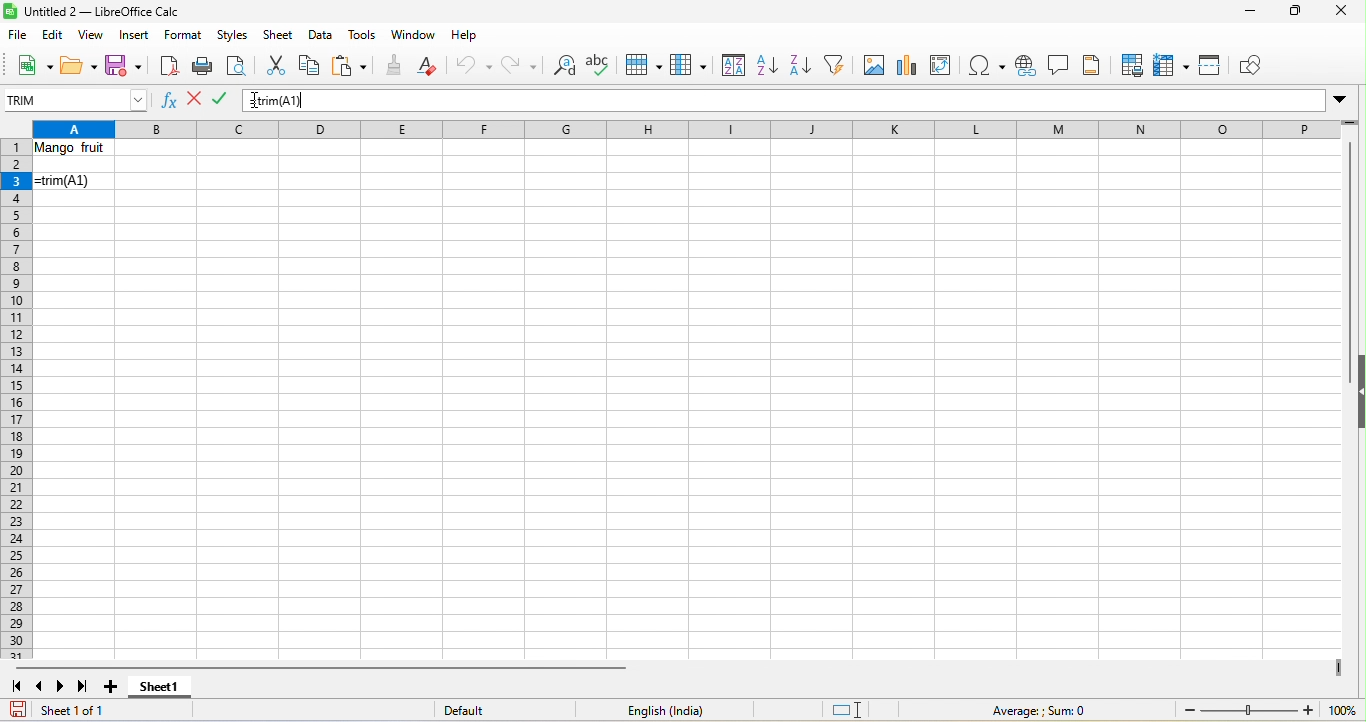 This screenshot has height=722, width=1366. Describe the element at coordinates (1174, 65) in the screenshot. I see `freeze row and column` at that location.